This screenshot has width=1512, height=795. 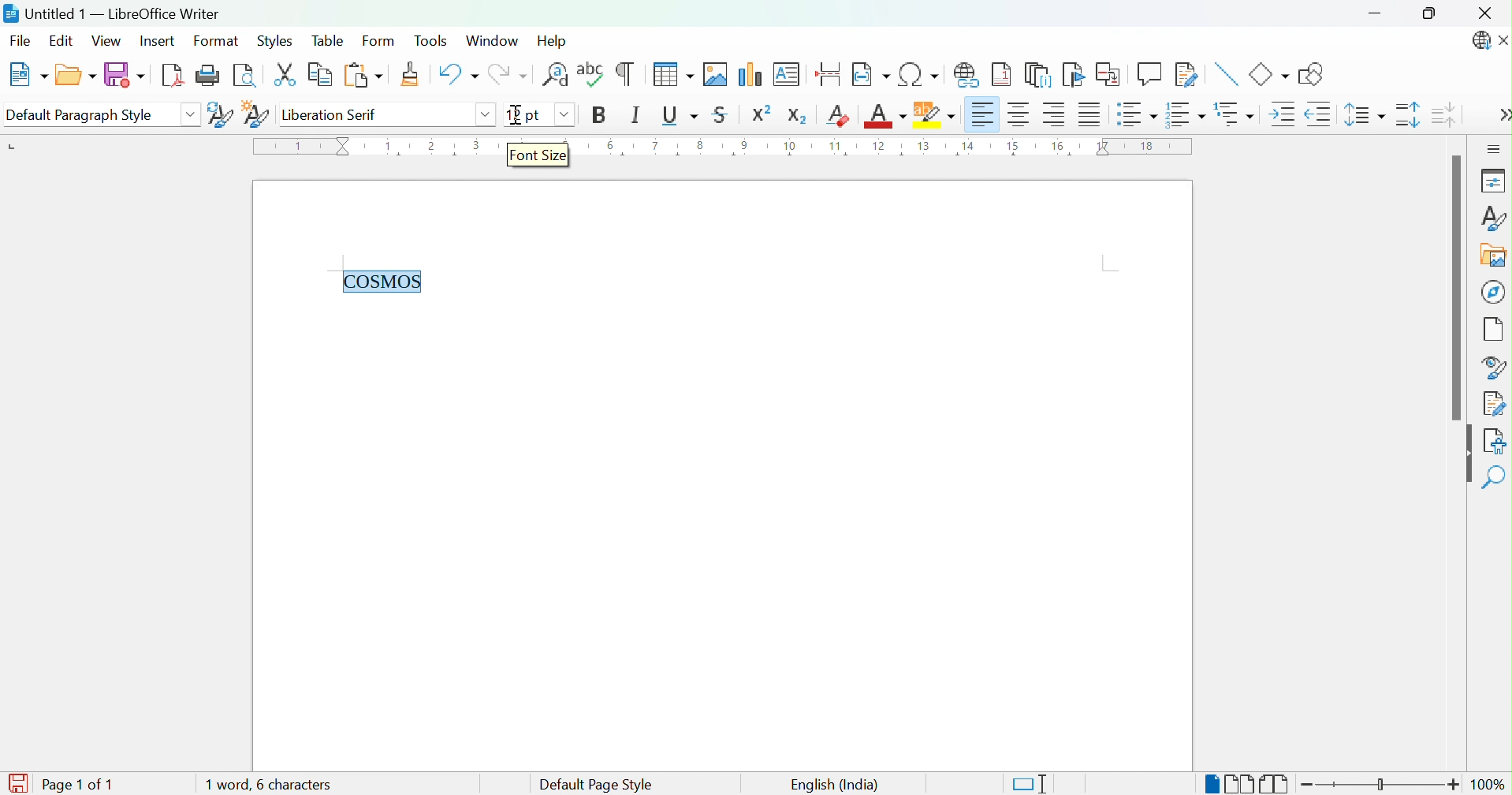 I want to click on Insert, so click(x=160, y=43).